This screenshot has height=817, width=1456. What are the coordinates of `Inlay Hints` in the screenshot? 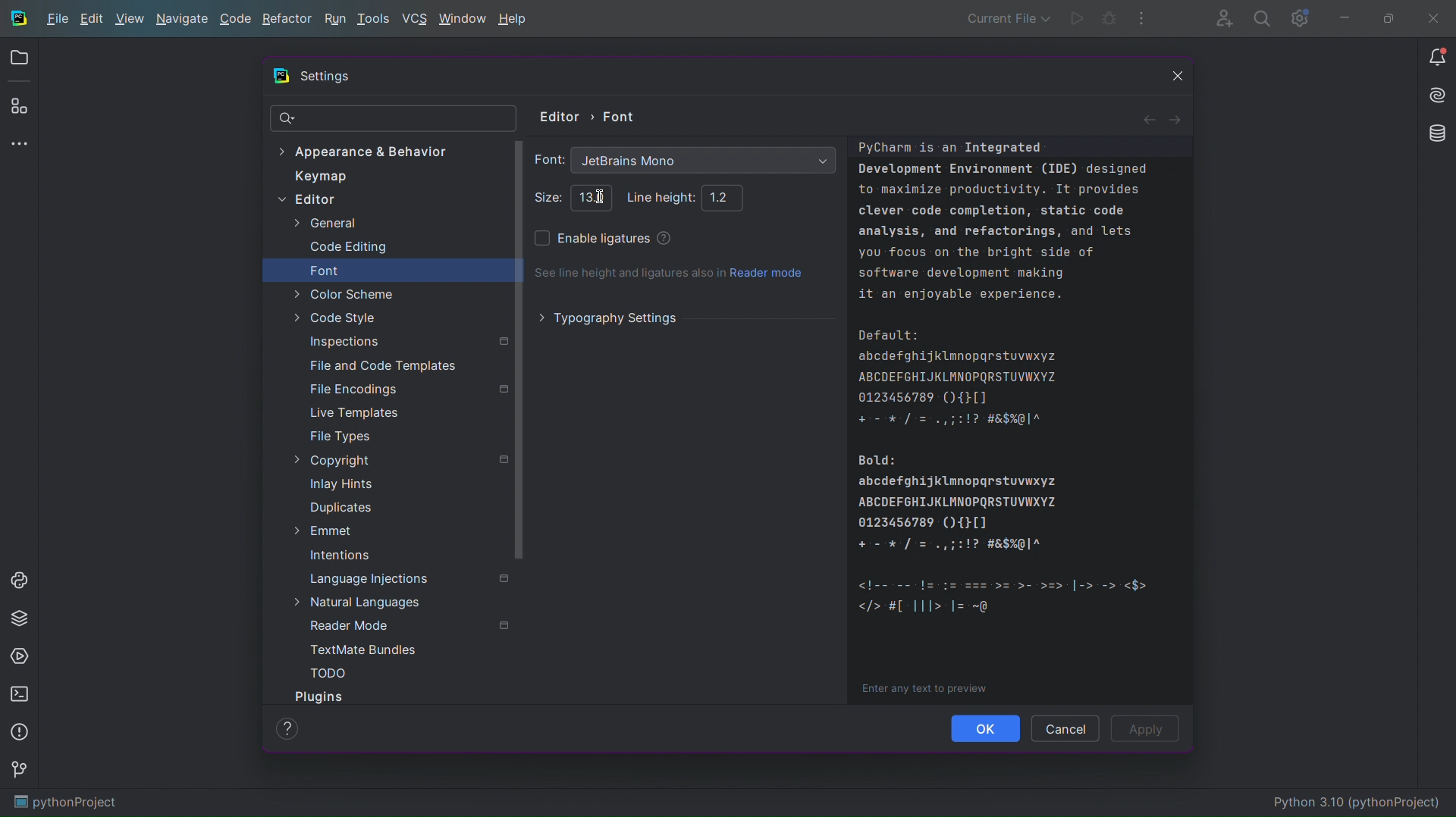 It's located at (340, 484).